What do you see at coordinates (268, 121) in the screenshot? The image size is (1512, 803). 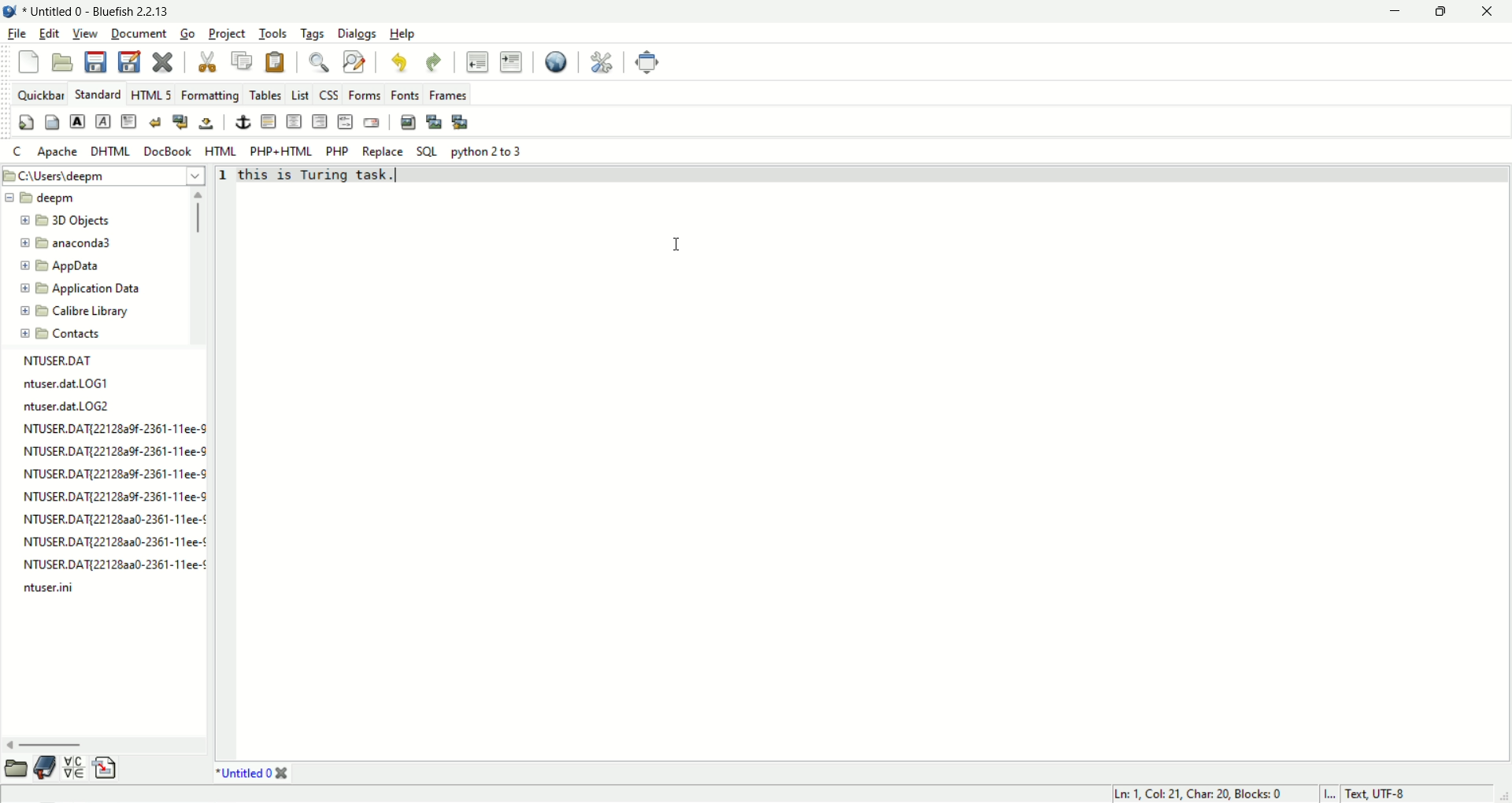 I see `horizontal rule` at bounding box center [268, 121].